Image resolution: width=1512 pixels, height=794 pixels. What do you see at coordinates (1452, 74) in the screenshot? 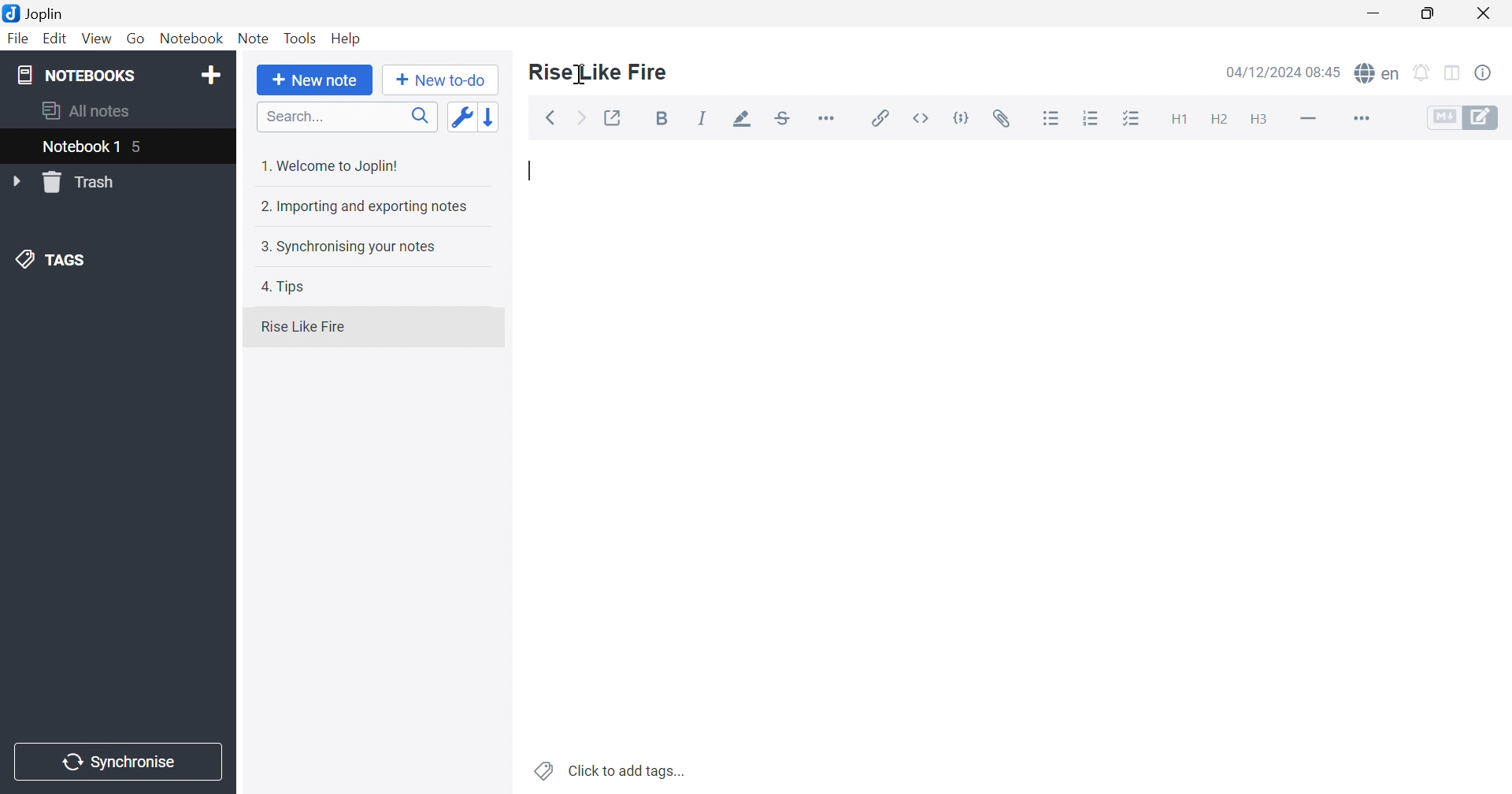
I see `Toggle editors layout` at bounding box center [1452, 74].